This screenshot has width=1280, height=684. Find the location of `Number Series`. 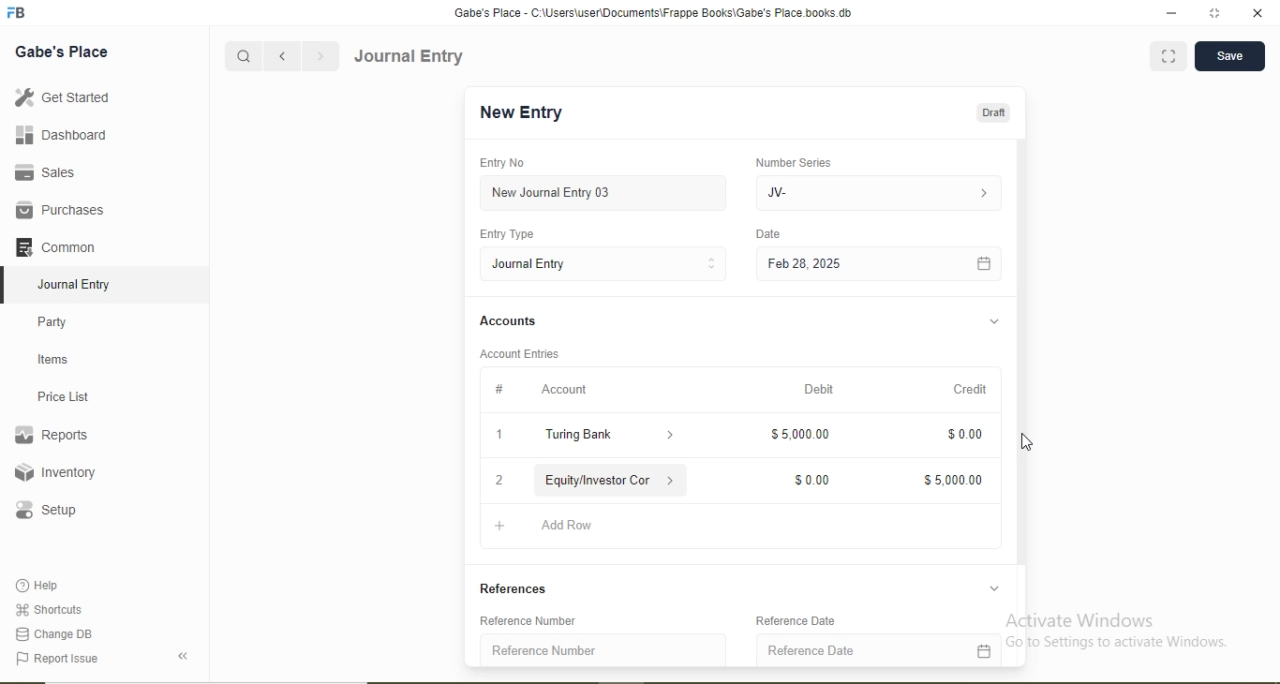

Number Series is located at coordinates (793, 163).